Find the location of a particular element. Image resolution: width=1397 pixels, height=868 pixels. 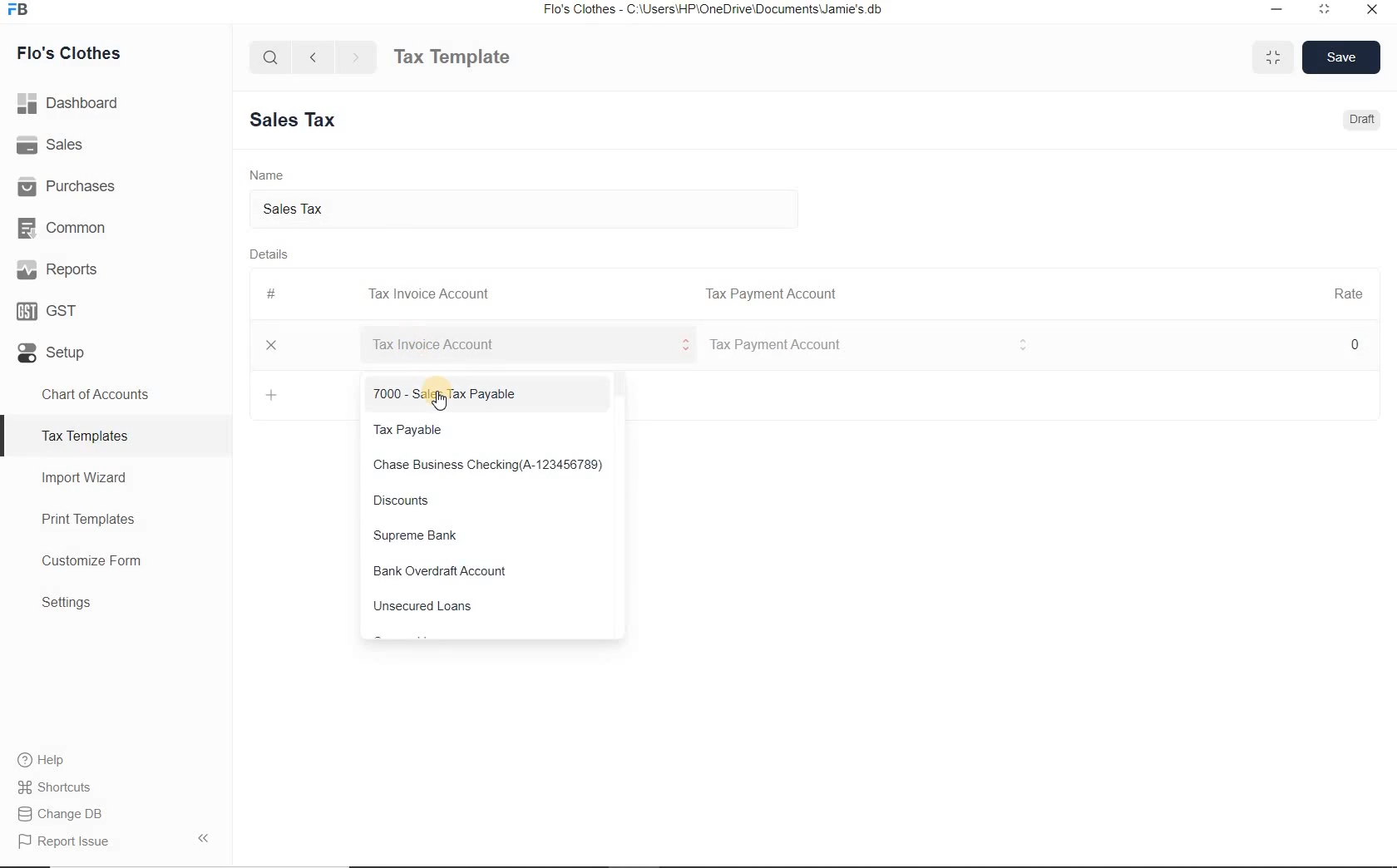

Shortcuts is located at coordinates (116, 787).